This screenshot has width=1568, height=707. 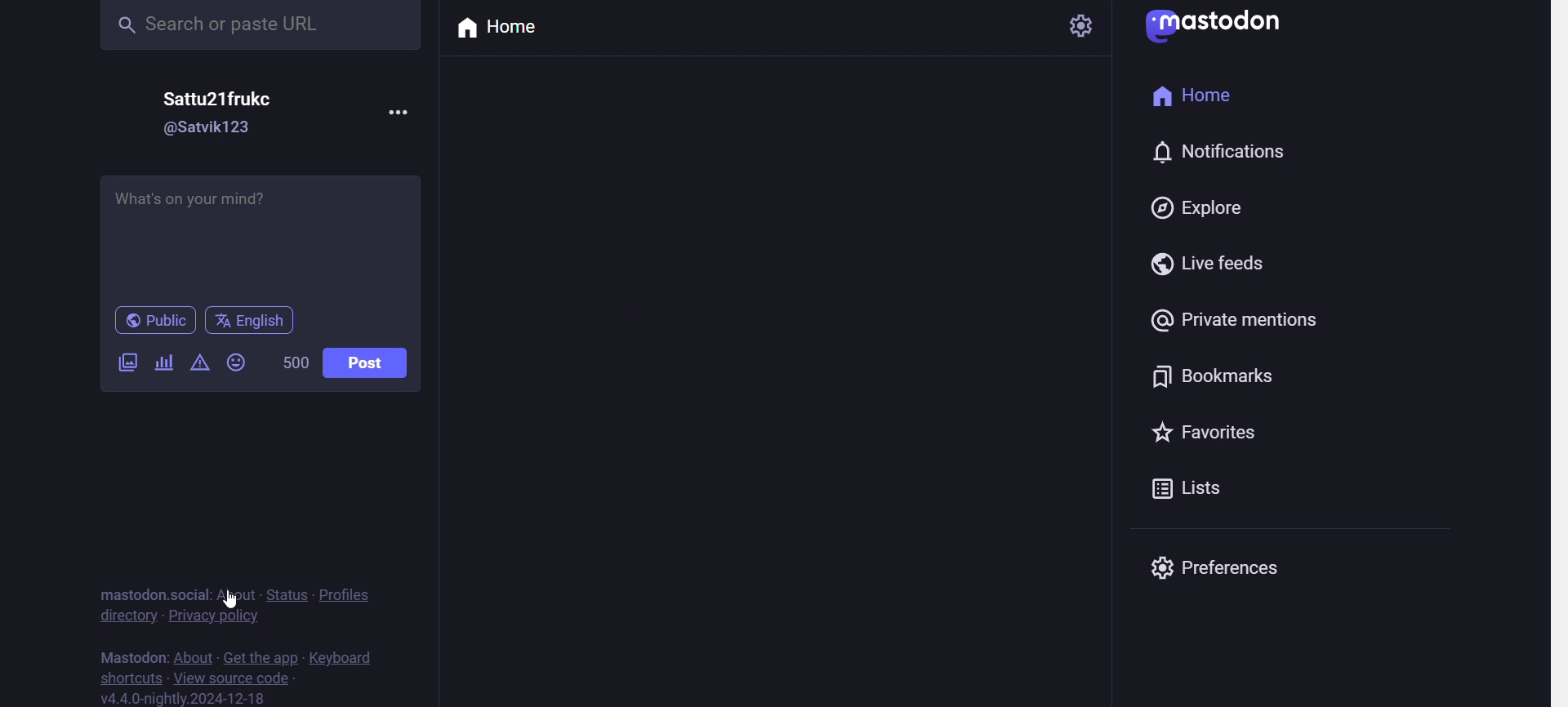 I want to click on emoji, so click(x=239, y=364).